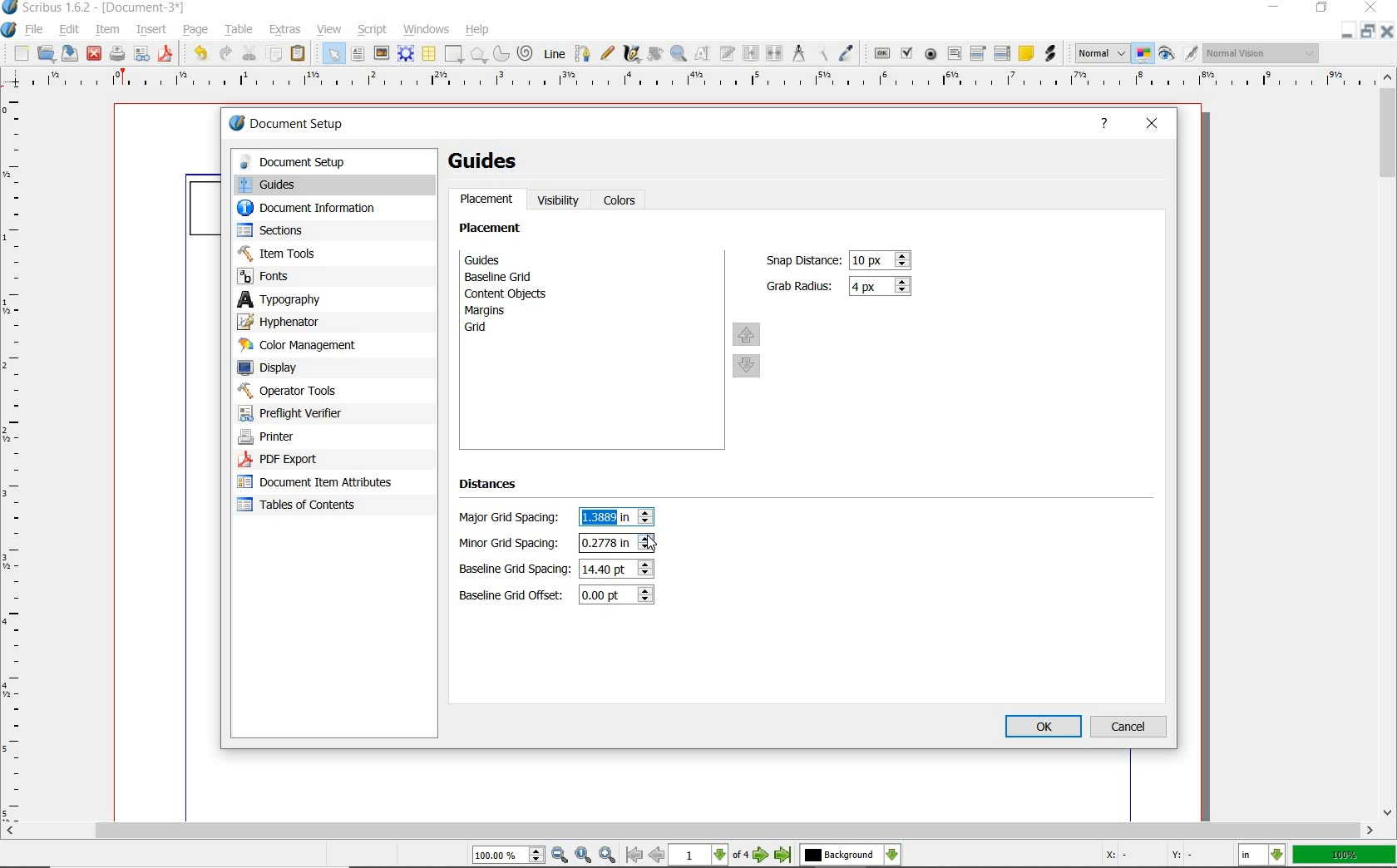  I want to click on margins, so click(494, 310).